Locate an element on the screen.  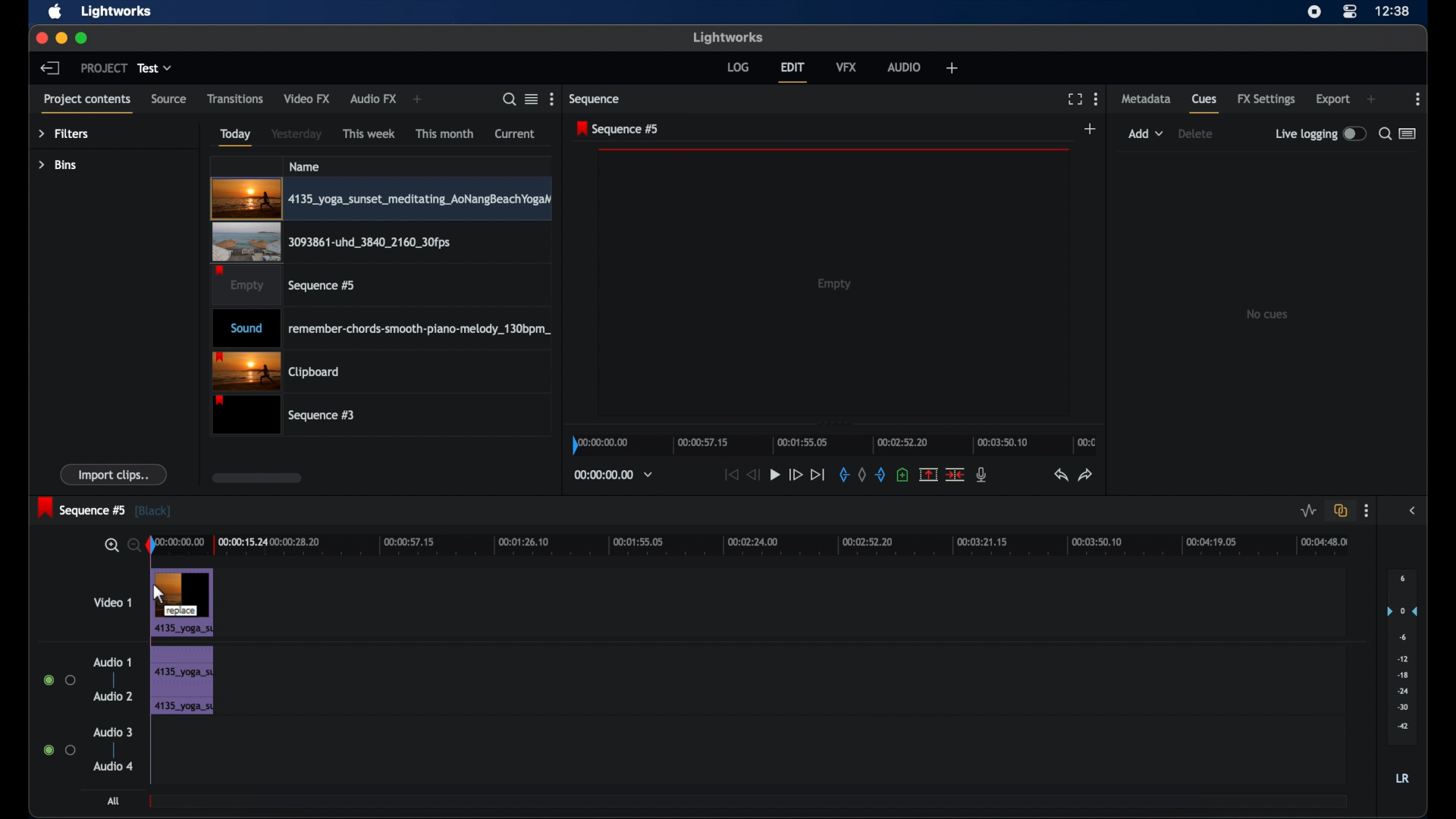
split is located at coordinates (955, 475).